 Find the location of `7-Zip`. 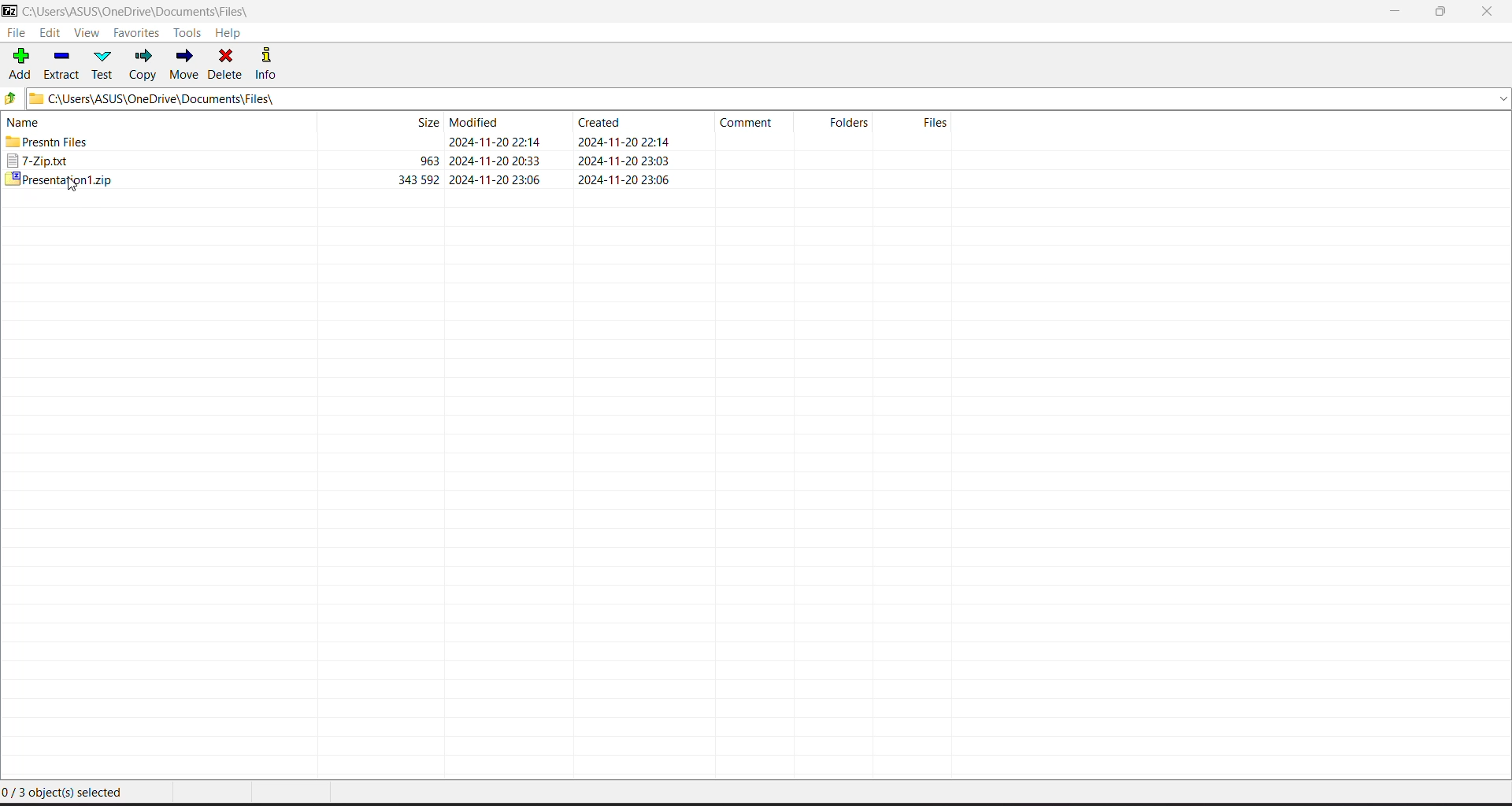

7-Zip is located at coordinates (342, 161).